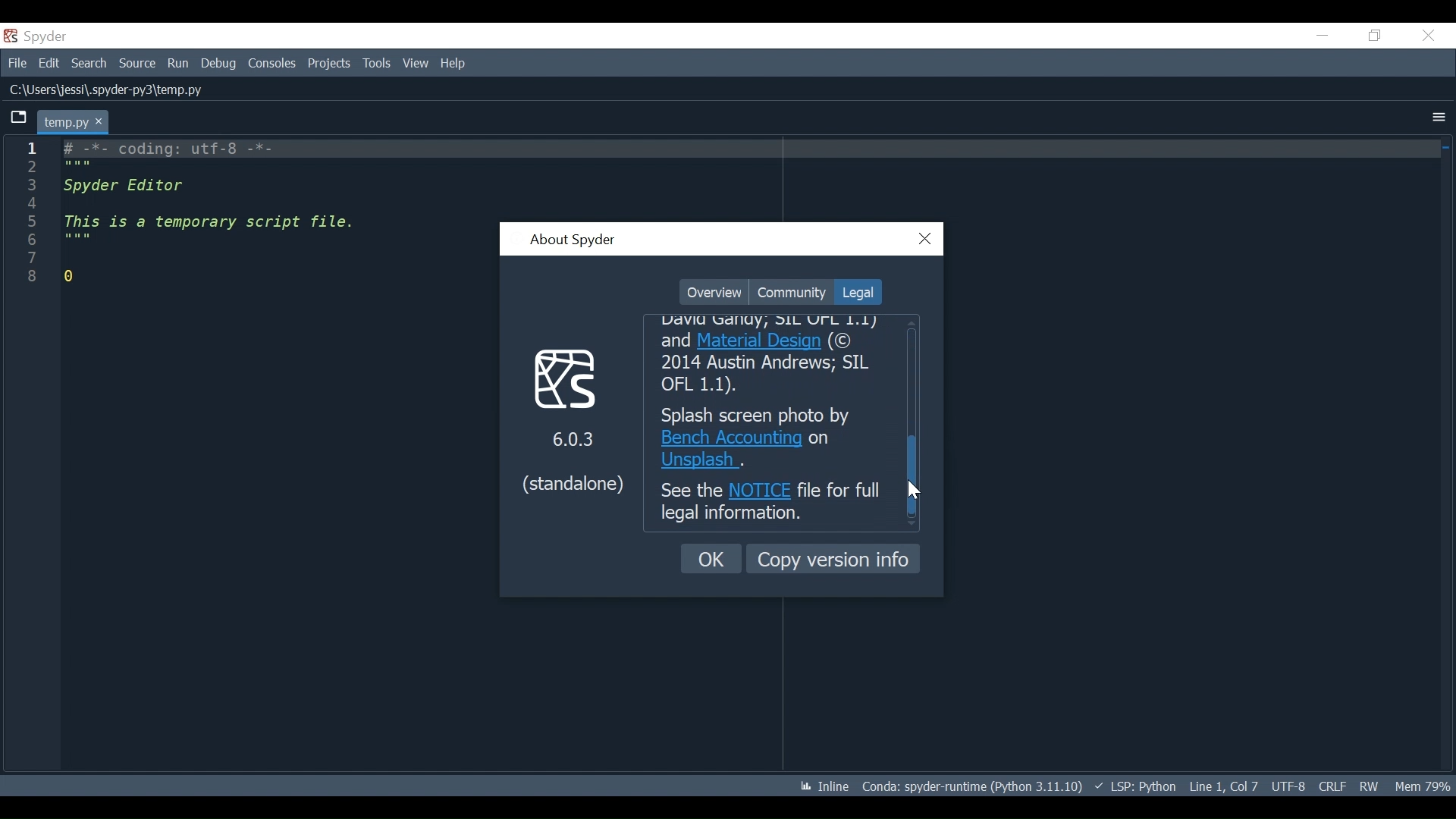 This screenshot has height=819, width=1456. Describe the element at coordinates (179, 64) in the screenshot. I see `Run` at that location.